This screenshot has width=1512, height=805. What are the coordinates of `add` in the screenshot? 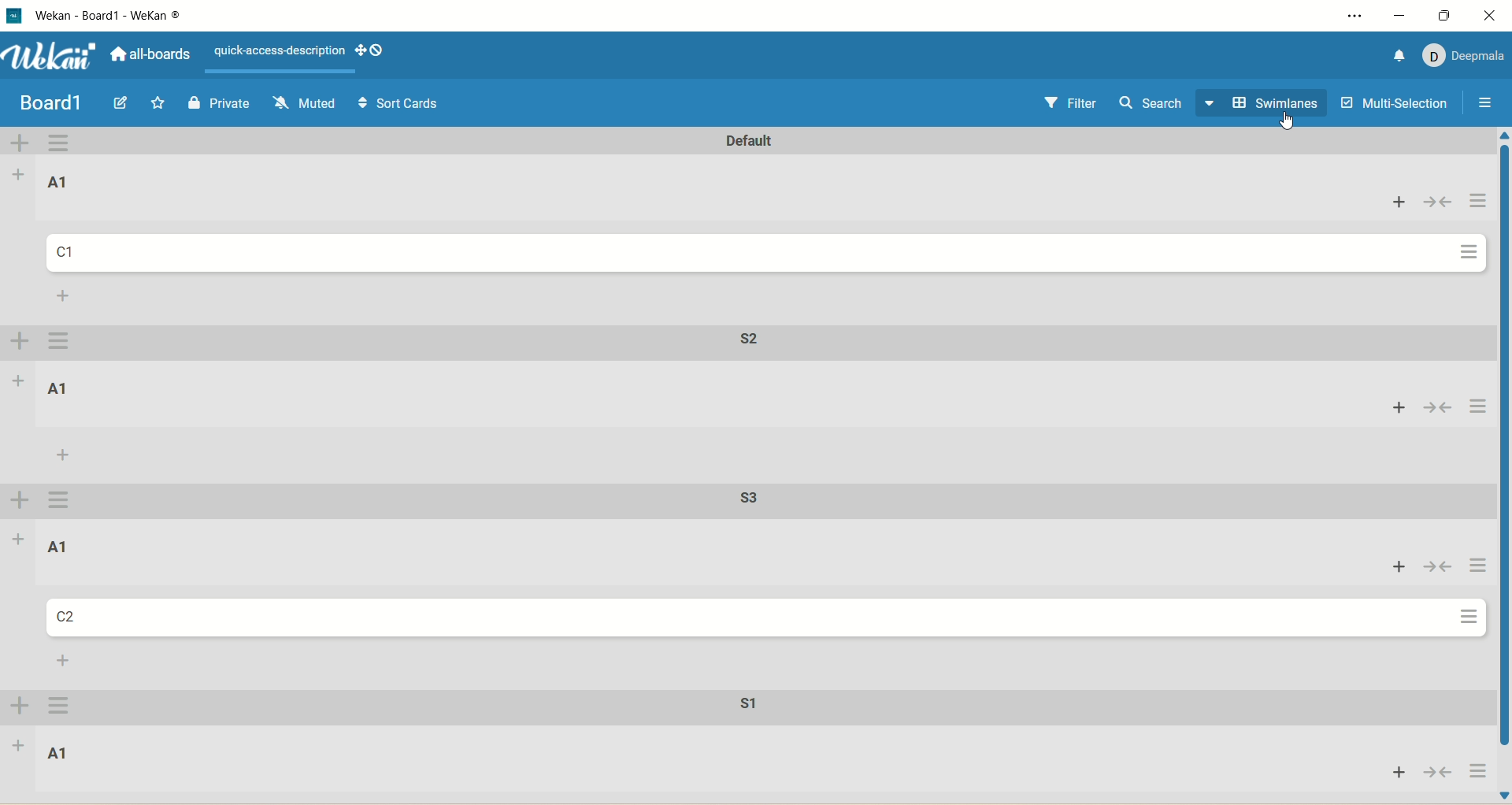 It's located at (65, 295).